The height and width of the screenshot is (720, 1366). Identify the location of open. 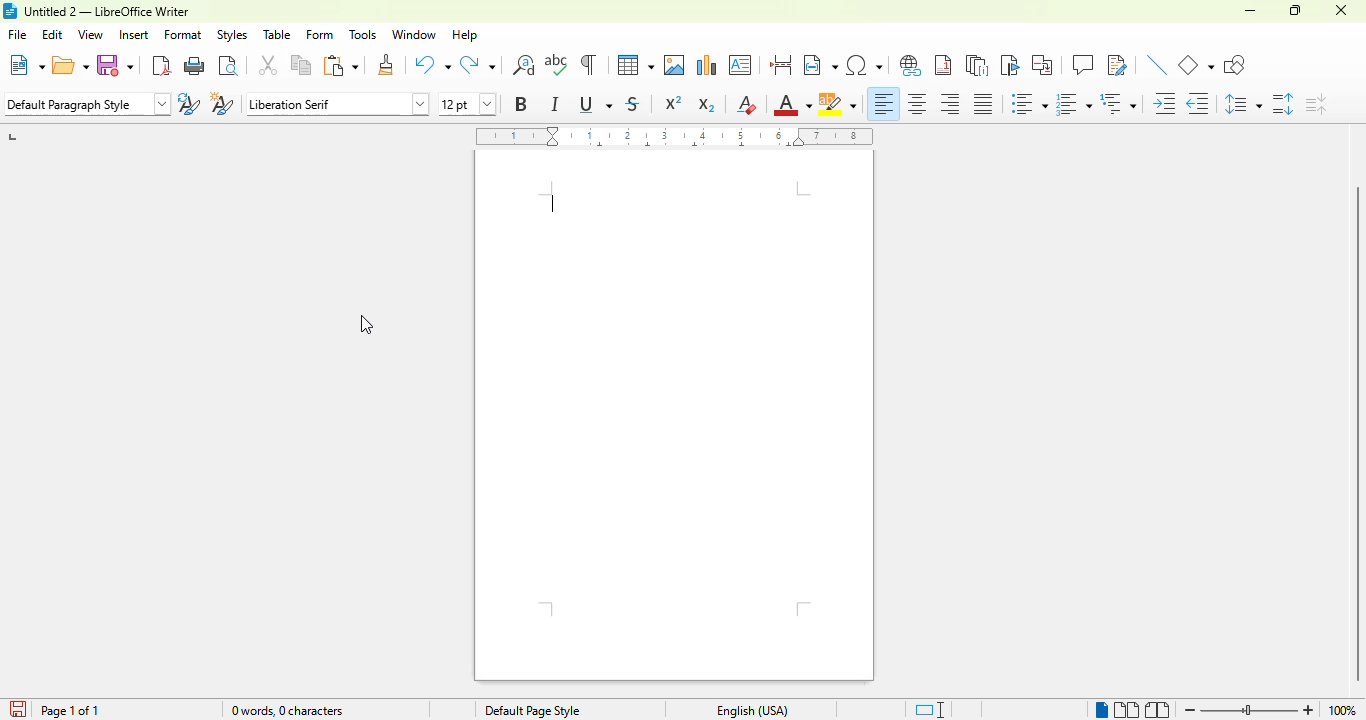
(70, 65).